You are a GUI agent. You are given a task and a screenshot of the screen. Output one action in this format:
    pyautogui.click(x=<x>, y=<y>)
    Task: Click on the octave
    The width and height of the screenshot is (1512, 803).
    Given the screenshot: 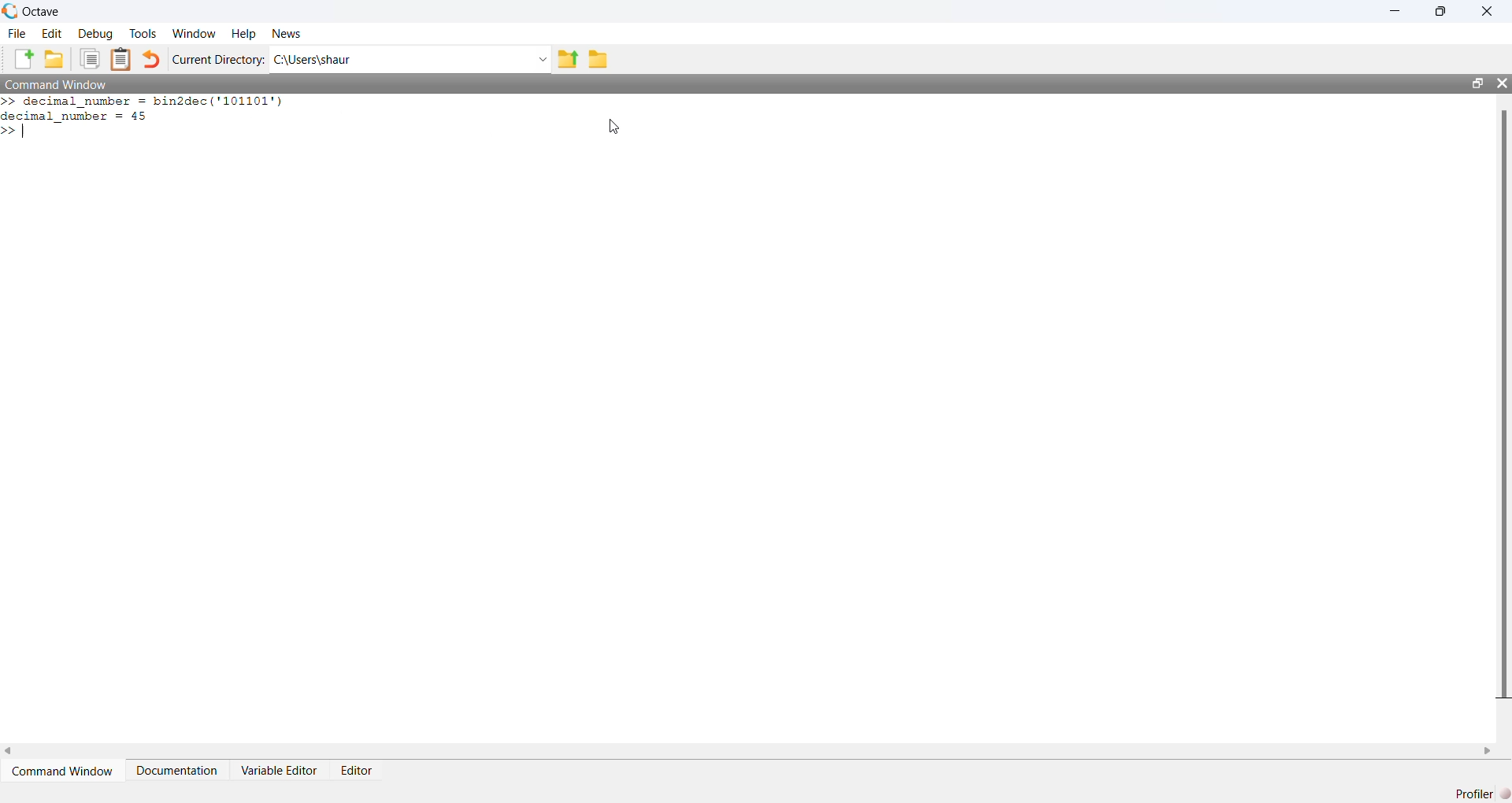 What is the action you would take?
    pyautogui.click(x=44, y=12)
    